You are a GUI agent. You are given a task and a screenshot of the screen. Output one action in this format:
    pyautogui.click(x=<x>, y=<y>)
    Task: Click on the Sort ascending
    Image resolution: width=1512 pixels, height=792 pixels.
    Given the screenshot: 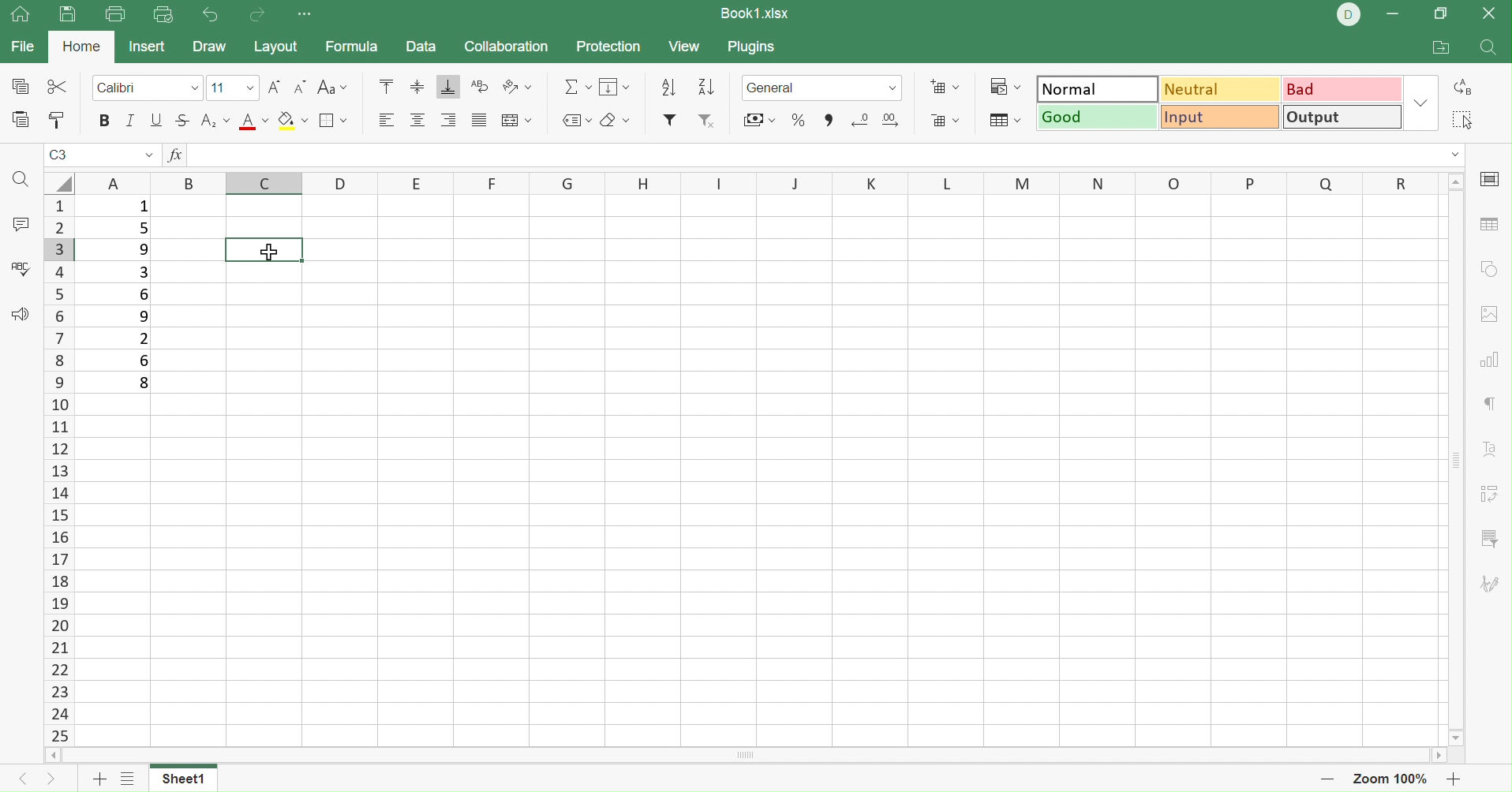 What is the action you would take?
    pyautogui.click(x=707, y=84)
    